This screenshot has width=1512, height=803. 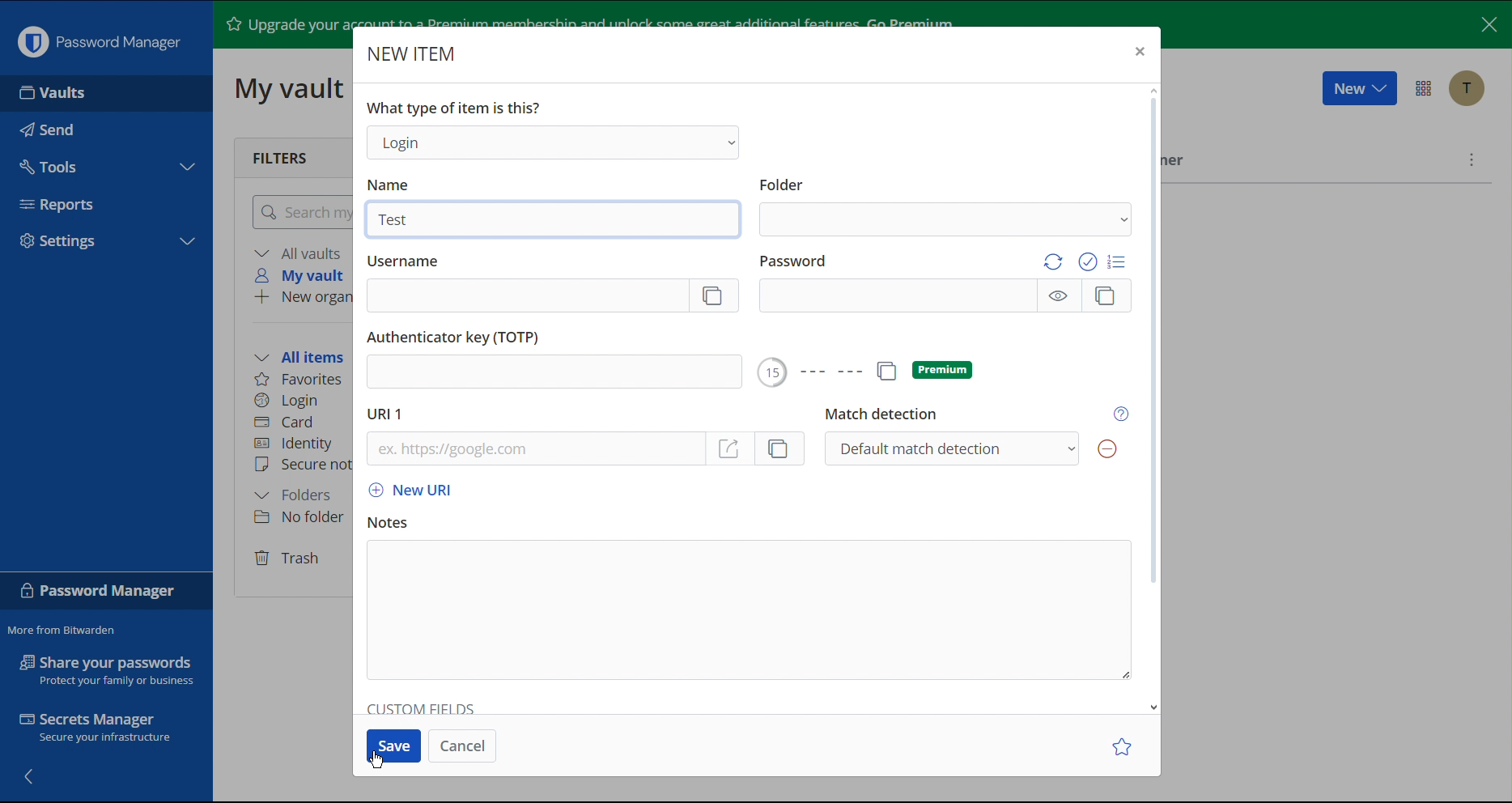 What do you see at coordinates (103, 729) in the screenshot?
I see `Secrets Manager` at bounding box center [103, 729].